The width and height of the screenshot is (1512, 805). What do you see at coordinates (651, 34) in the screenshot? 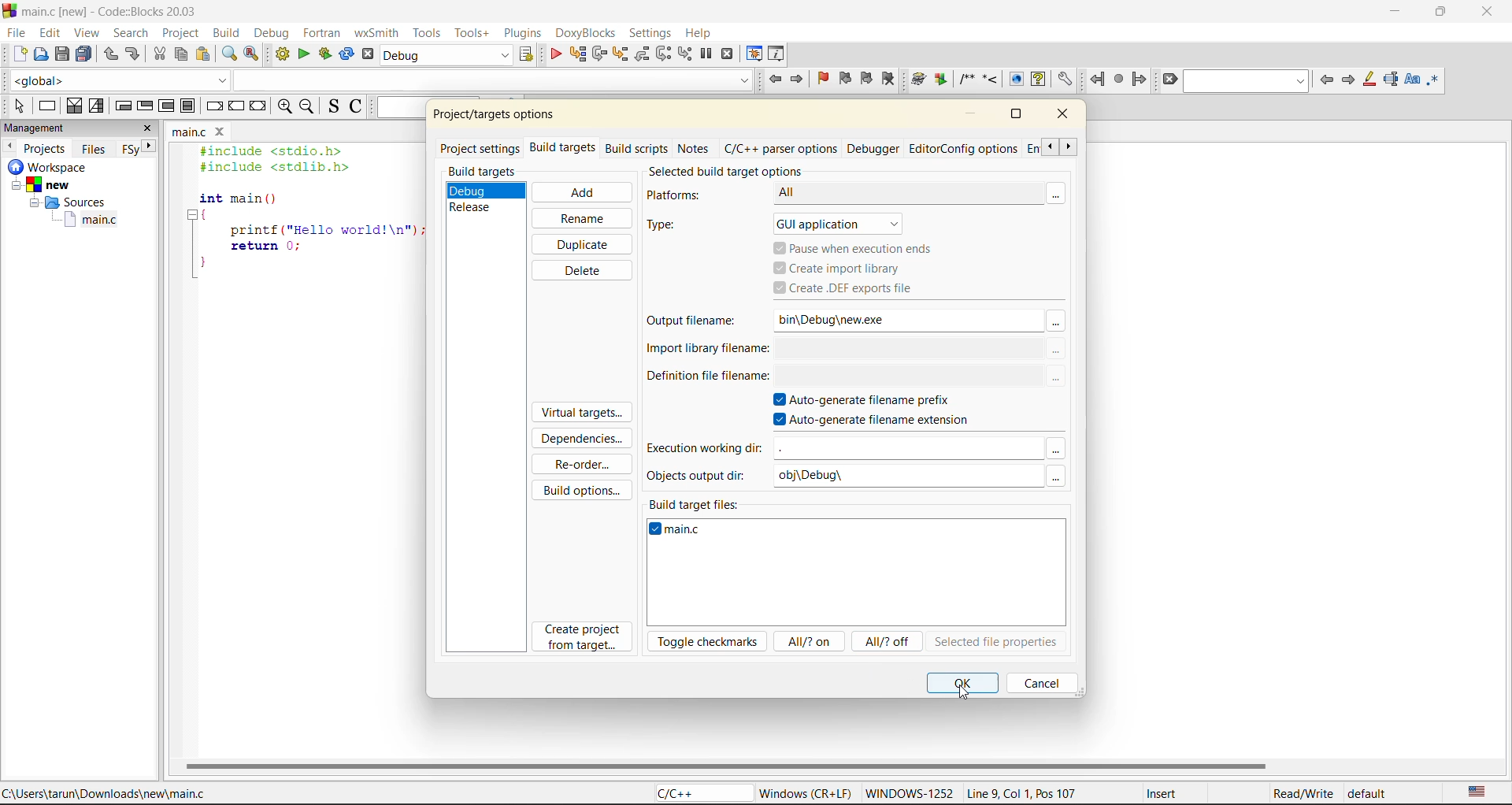
I see `settings` at bounding box center [651, 34].